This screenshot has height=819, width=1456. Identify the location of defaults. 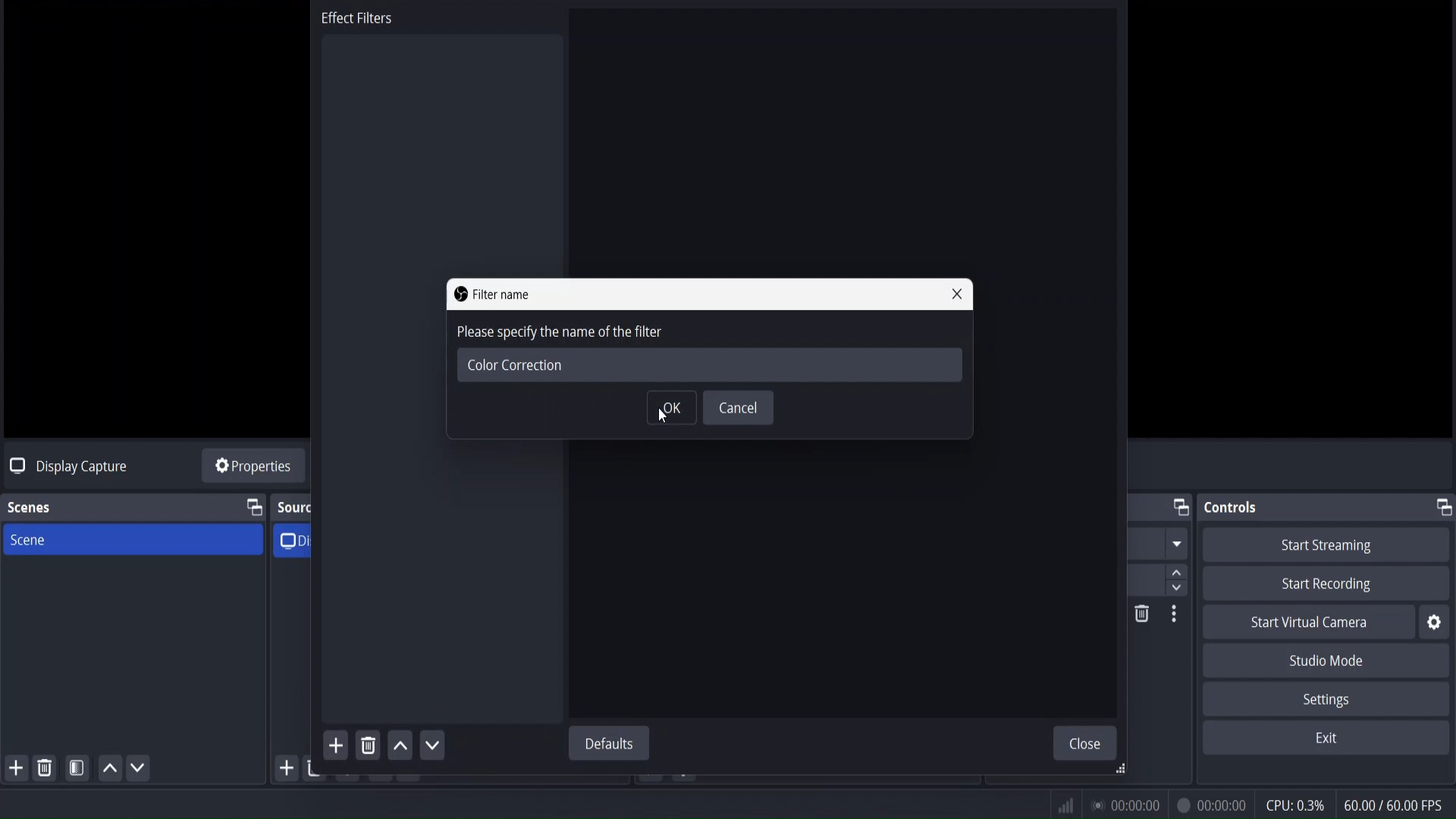
(612, 744).